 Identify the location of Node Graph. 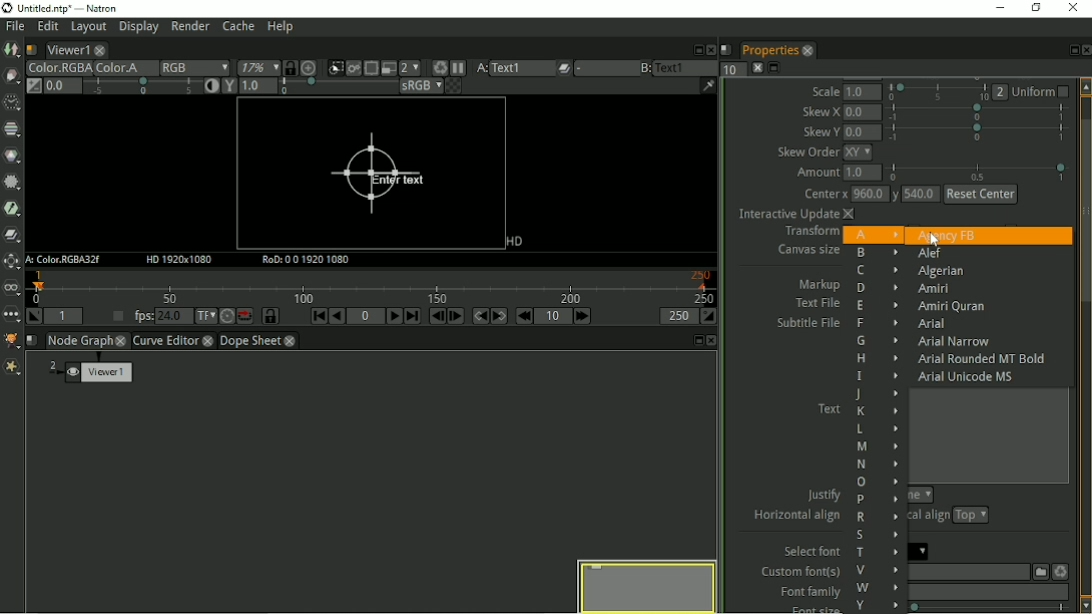
(80, 341).